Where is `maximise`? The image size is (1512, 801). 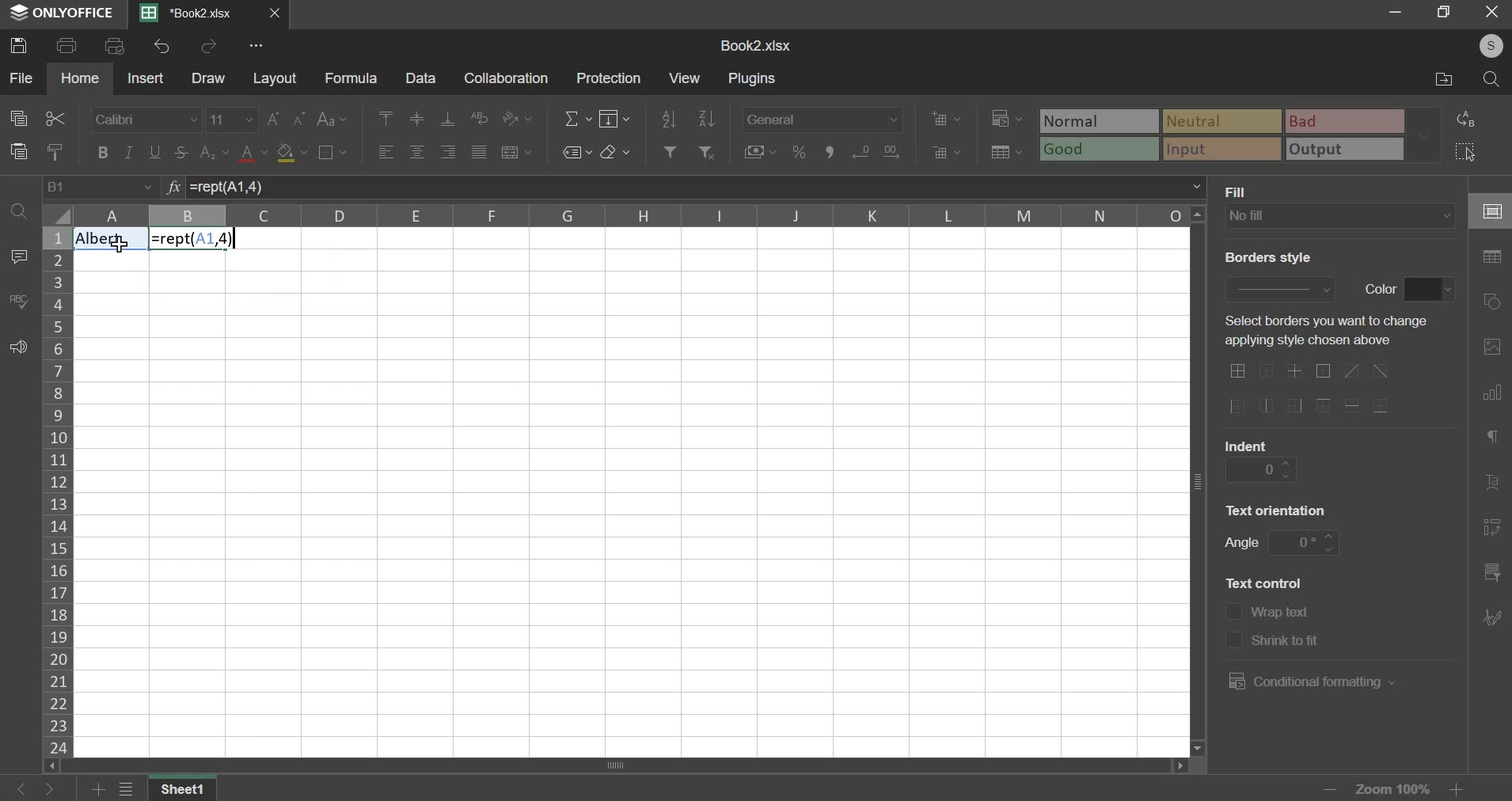
maximise is located at coordinates (1444, 13).